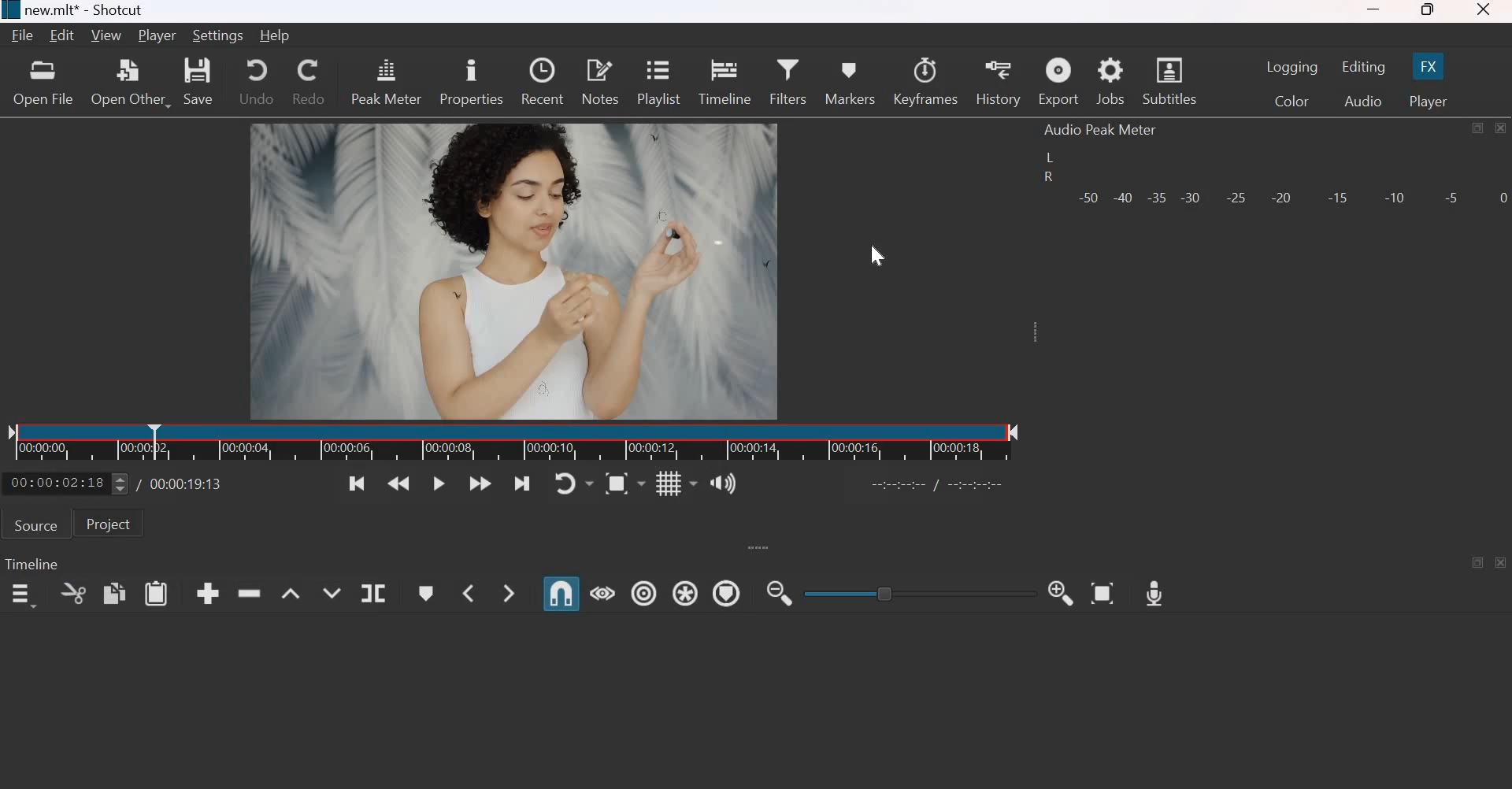 This screenshot has width=1512, height=789. What do you see at coordinates (509, 593) in the screenshot?
I see `Next Marker` at bounding box center [509, 593].